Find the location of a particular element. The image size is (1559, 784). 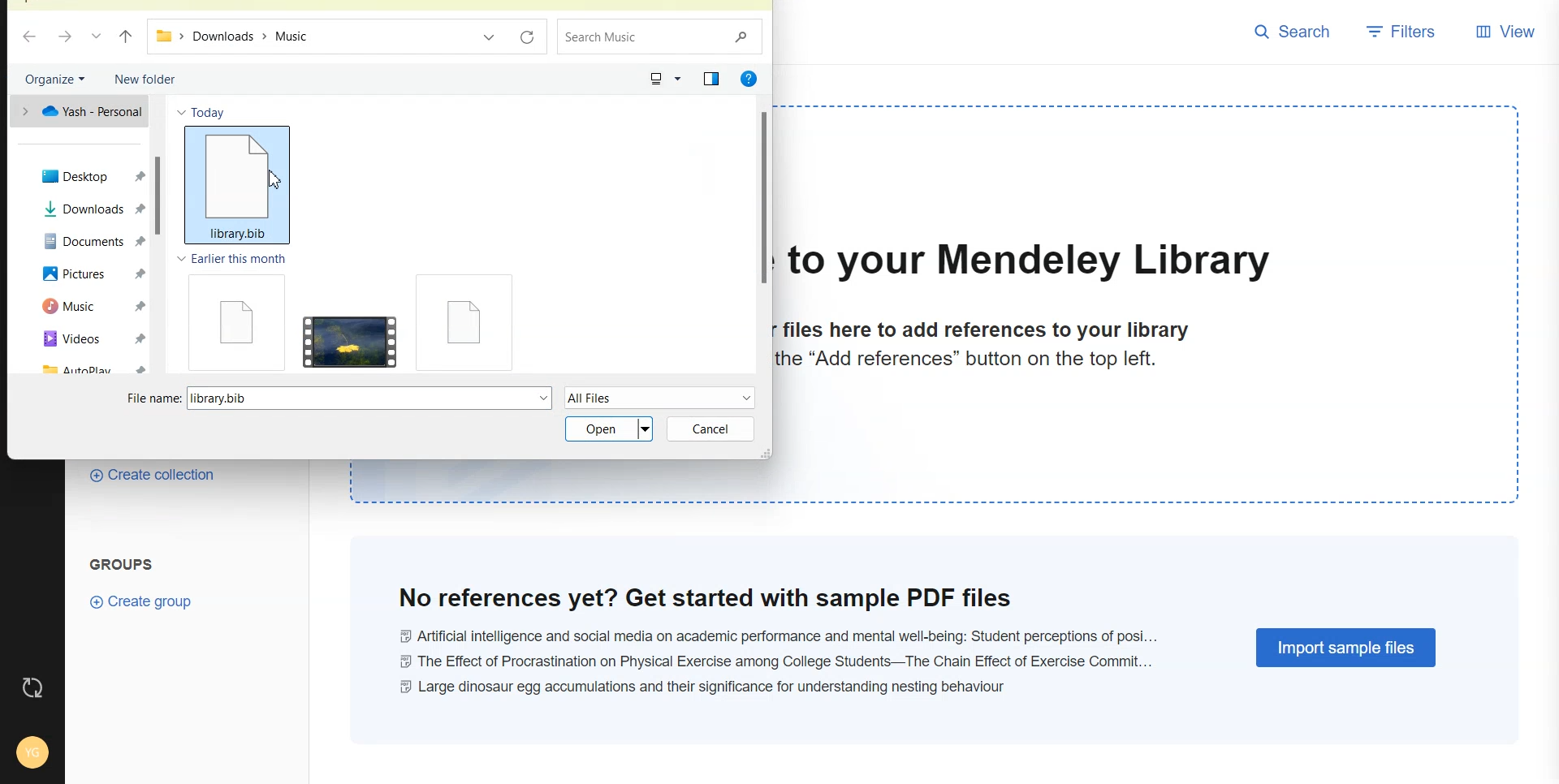

Change your view is located at coordinates (667, 78).